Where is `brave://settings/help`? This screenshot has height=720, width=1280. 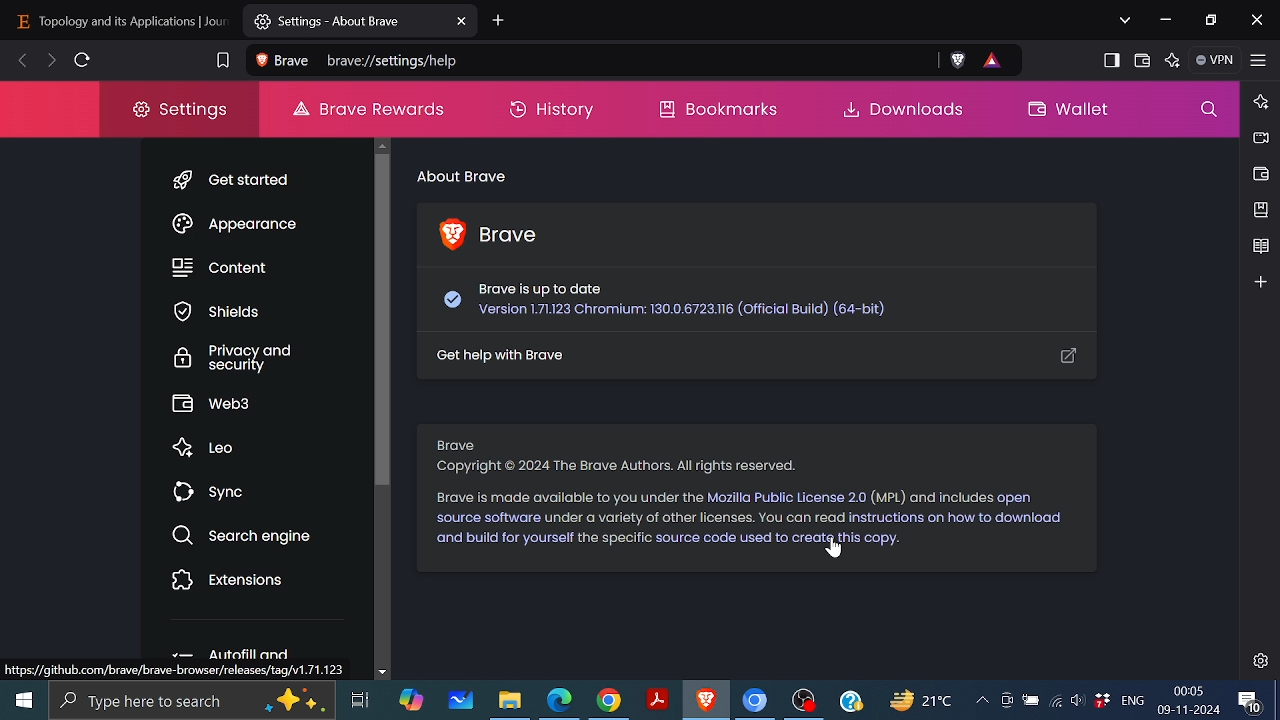
brave://settings/help is located at coordinates (393, 61).